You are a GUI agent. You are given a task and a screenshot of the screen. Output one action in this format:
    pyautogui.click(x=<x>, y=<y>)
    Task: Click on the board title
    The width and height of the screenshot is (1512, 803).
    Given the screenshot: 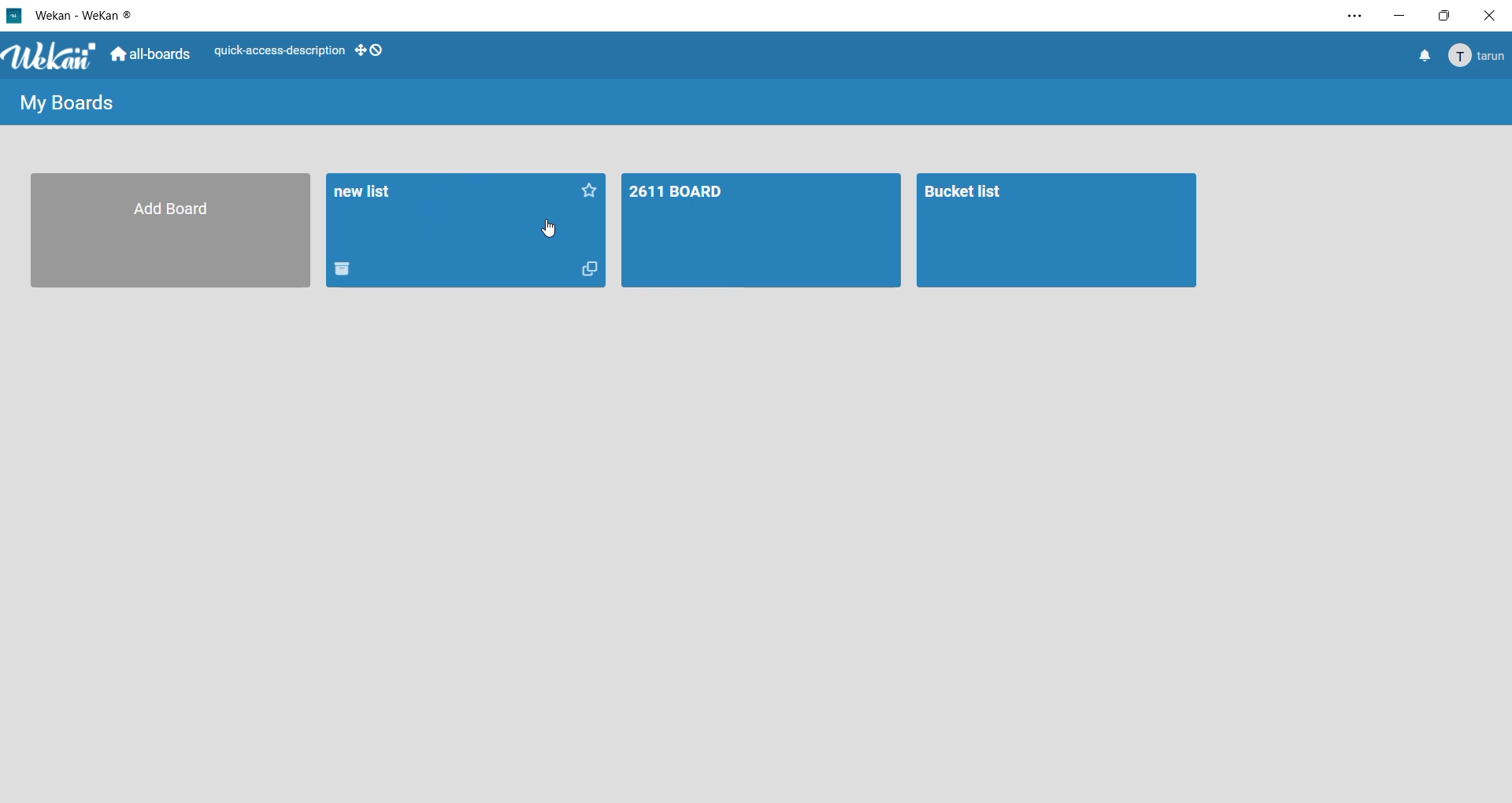 What is the action you would take?
    pyautogui.click(x=369, y=194)
    